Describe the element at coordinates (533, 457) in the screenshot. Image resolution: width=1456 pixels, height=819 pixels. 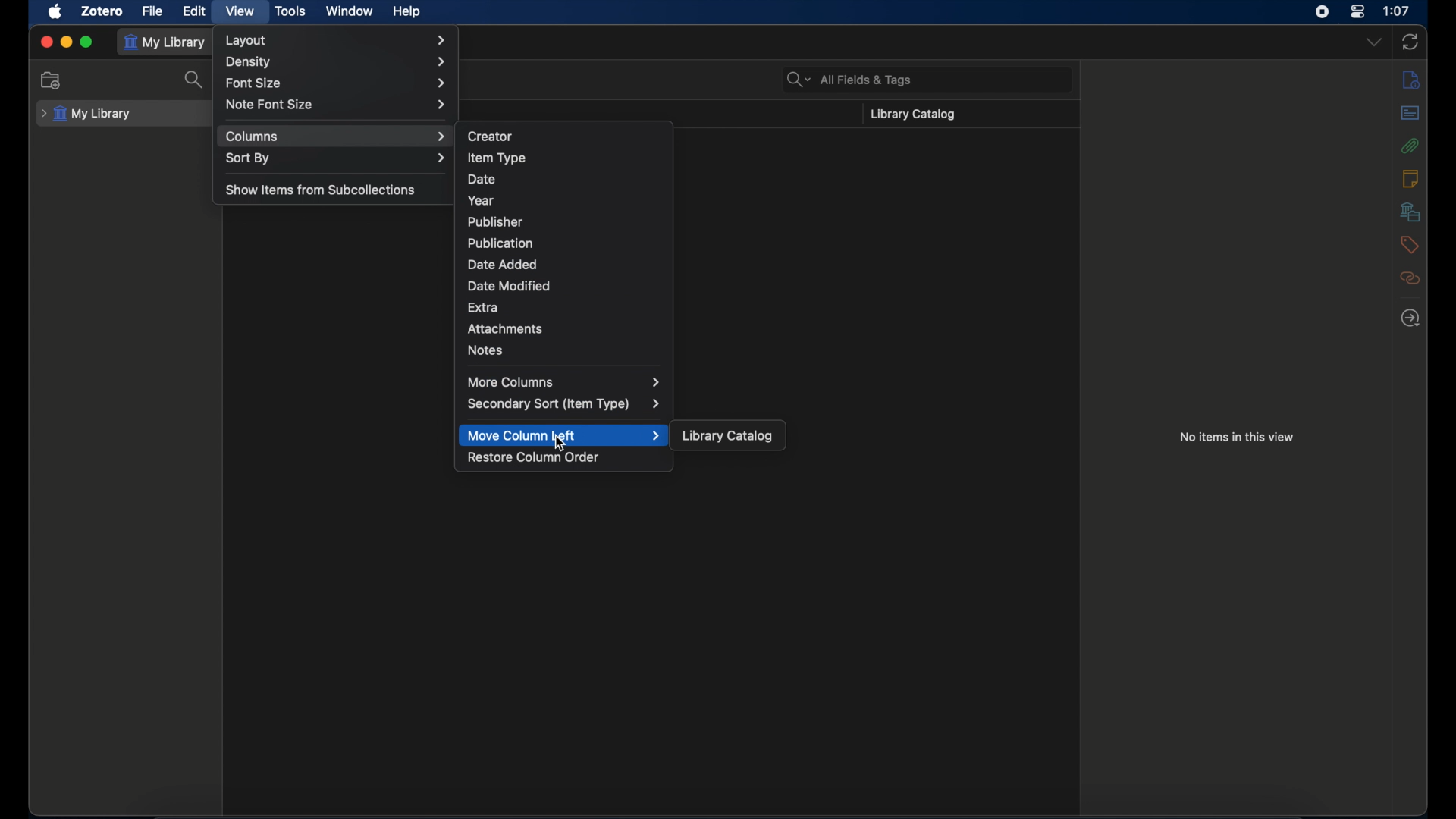
I see `restore column order` at that location.